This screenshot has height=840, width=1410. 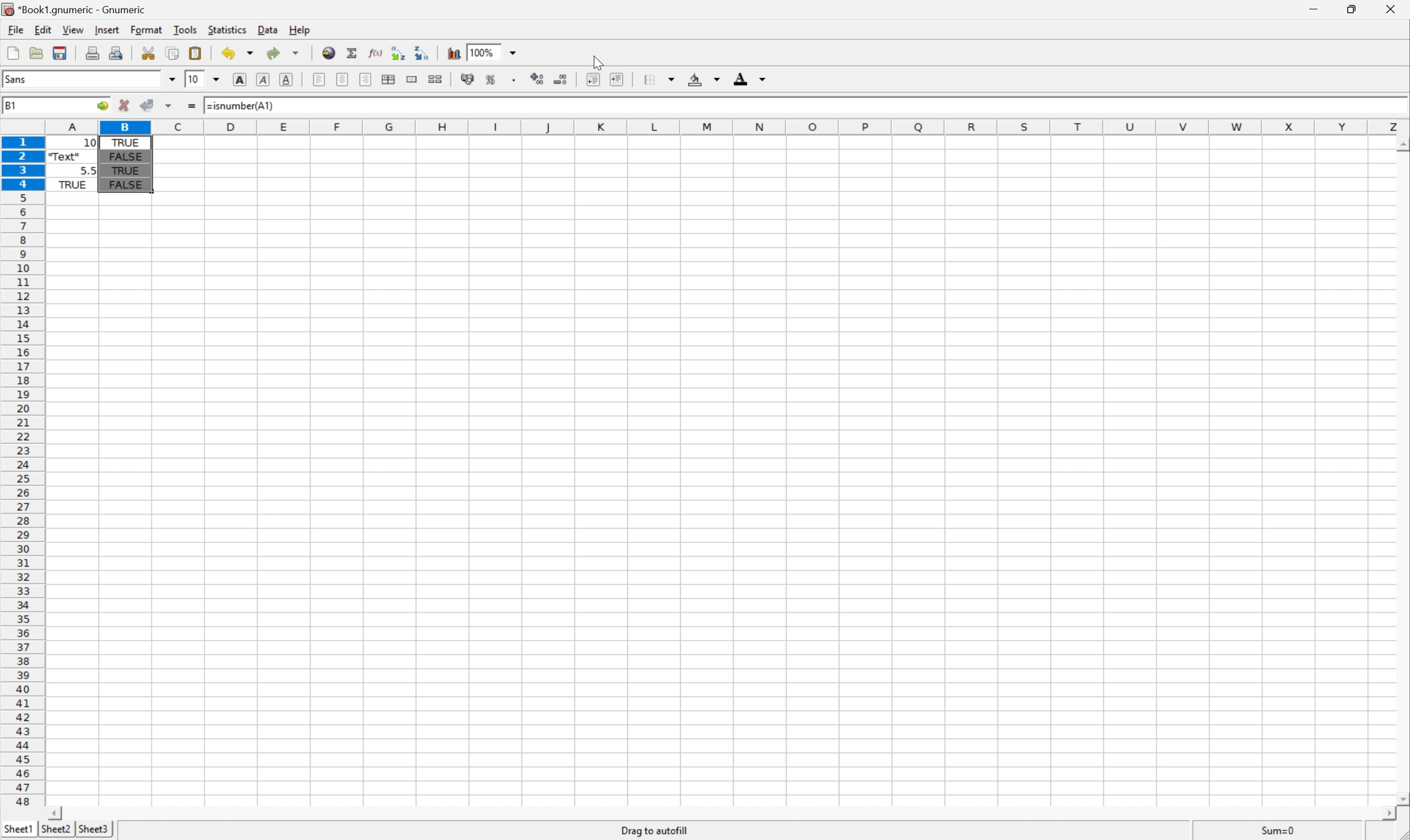 I want to click on Insert, so click(x=106, y=29).